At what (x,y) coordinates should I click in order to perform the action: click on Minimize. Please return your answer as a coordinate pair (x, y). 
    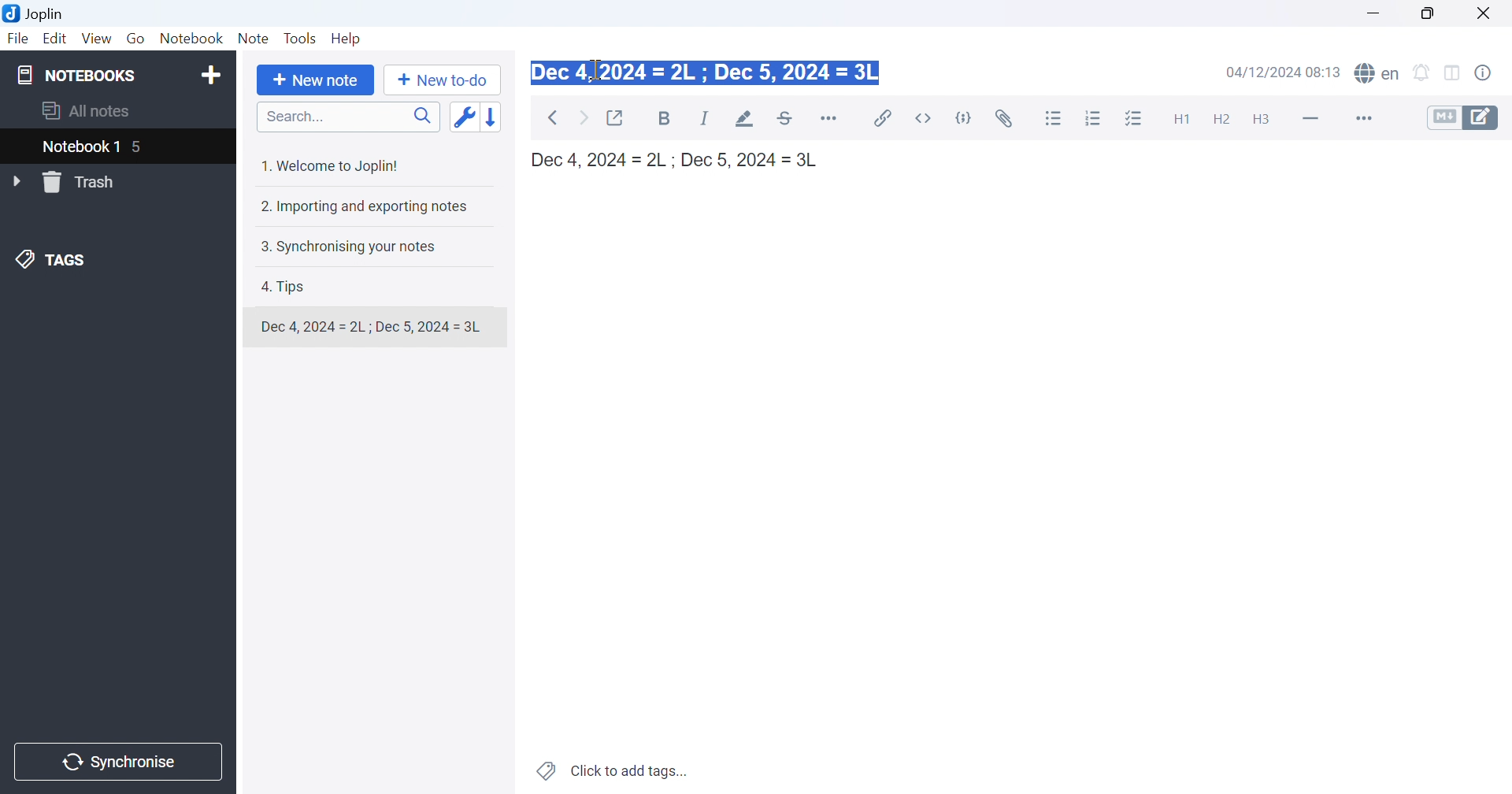
    Looking at the image, I should click on (1376, 10).